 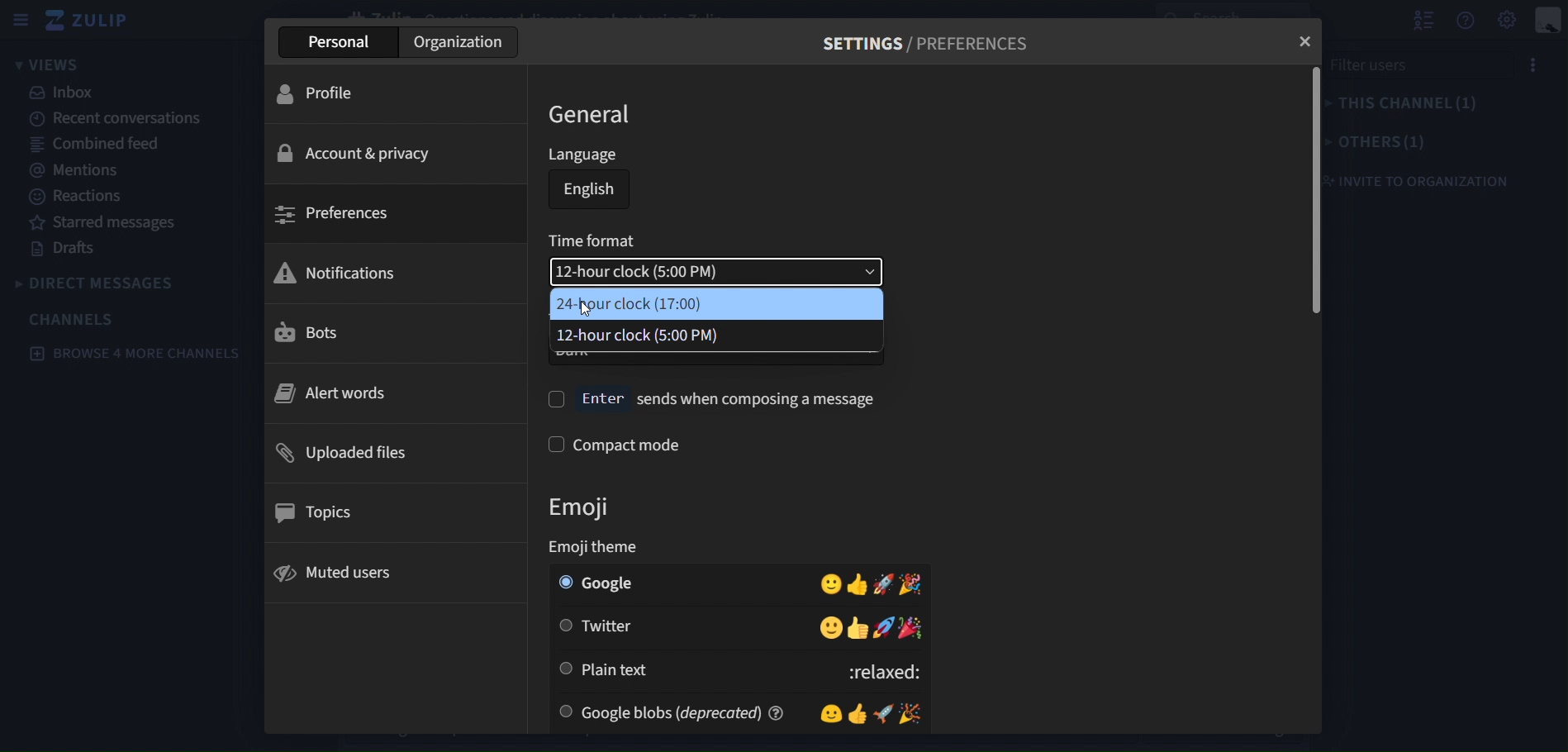 What do you see at coordinates (839, 584) in the screenshot?
I see `Emojis` at bounding box center [839, 584].